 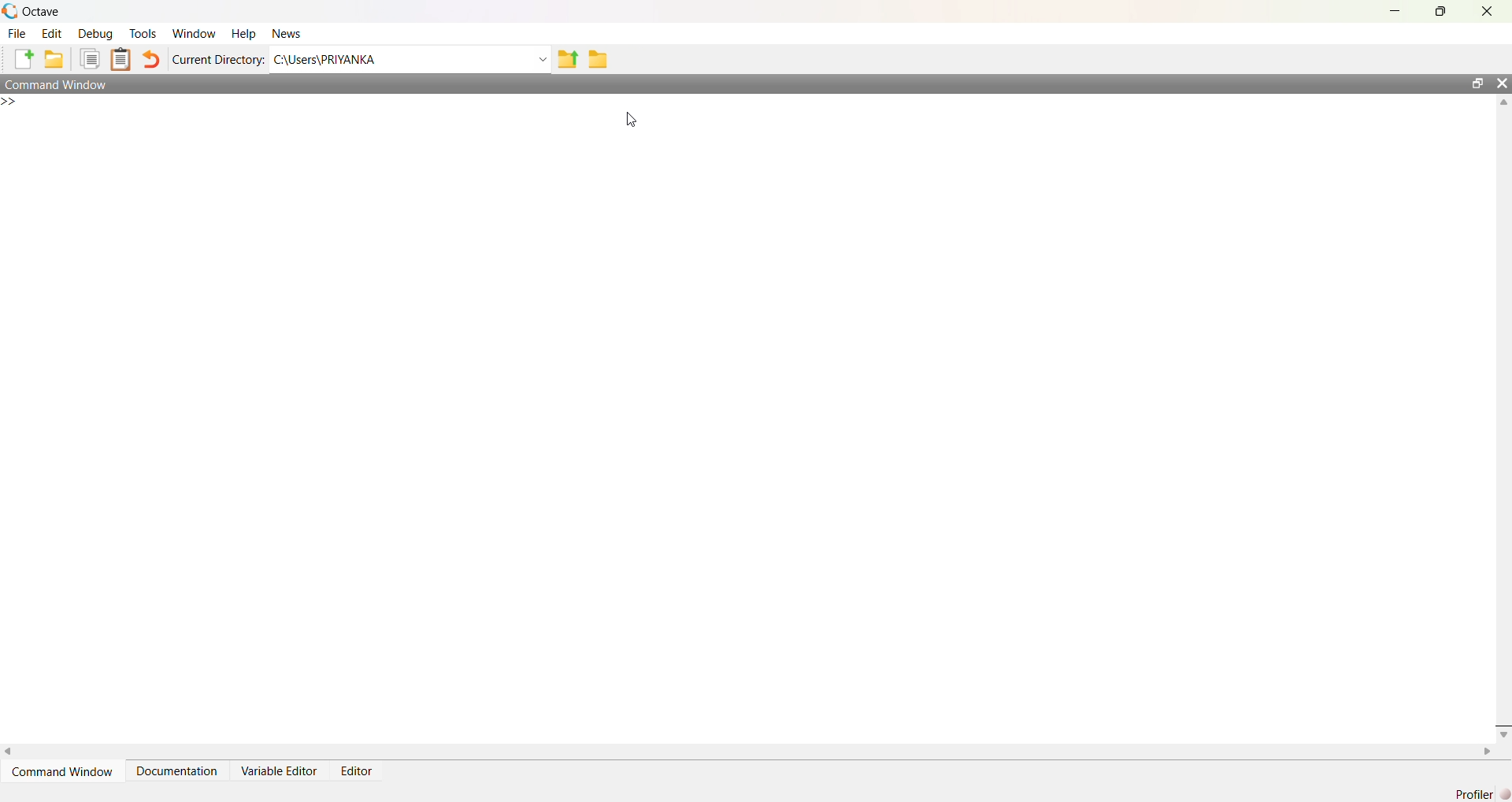 I want to click on Maximize, so click(x=1440, y=13).